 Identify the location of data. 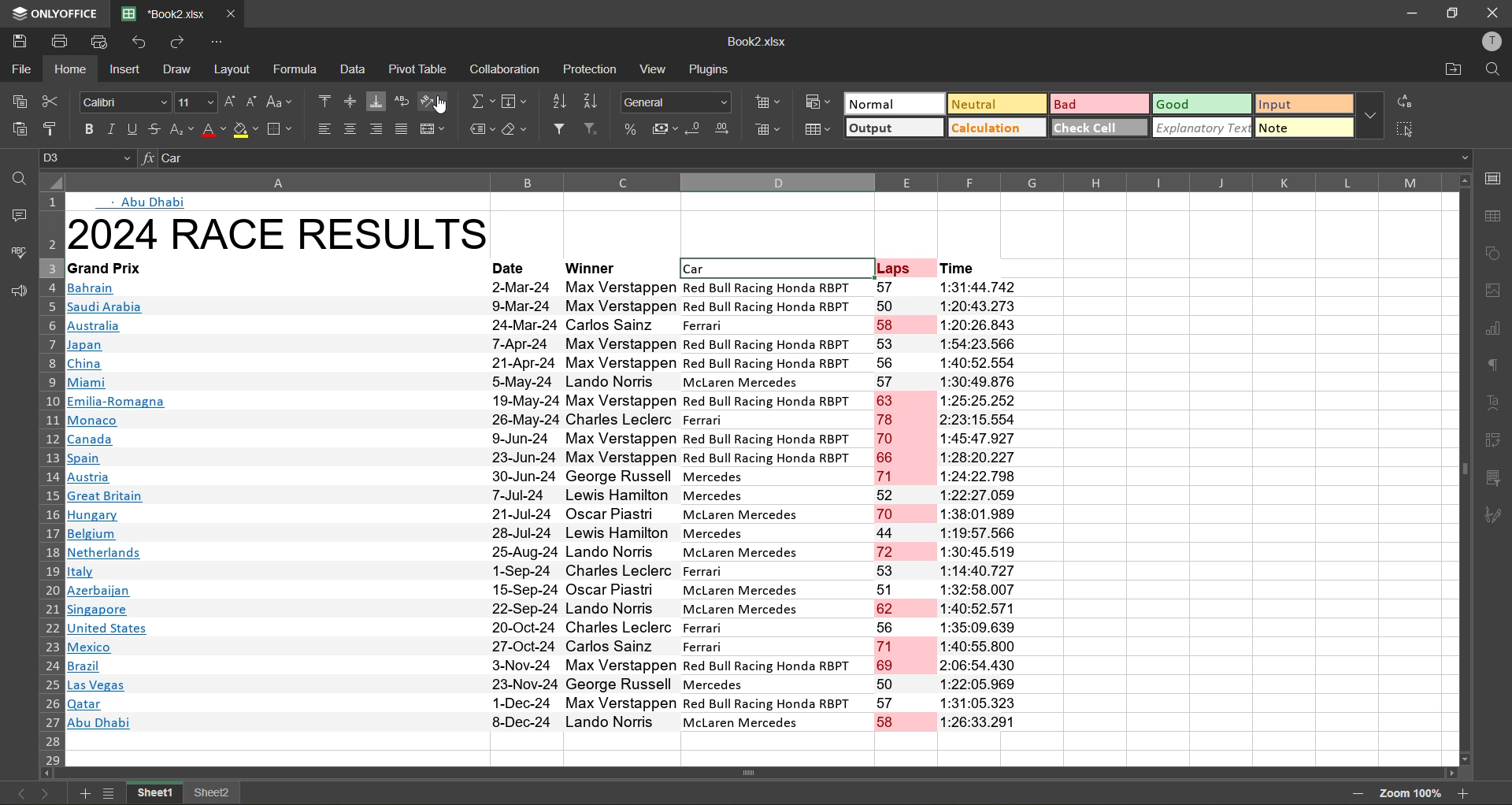
(356, 71).